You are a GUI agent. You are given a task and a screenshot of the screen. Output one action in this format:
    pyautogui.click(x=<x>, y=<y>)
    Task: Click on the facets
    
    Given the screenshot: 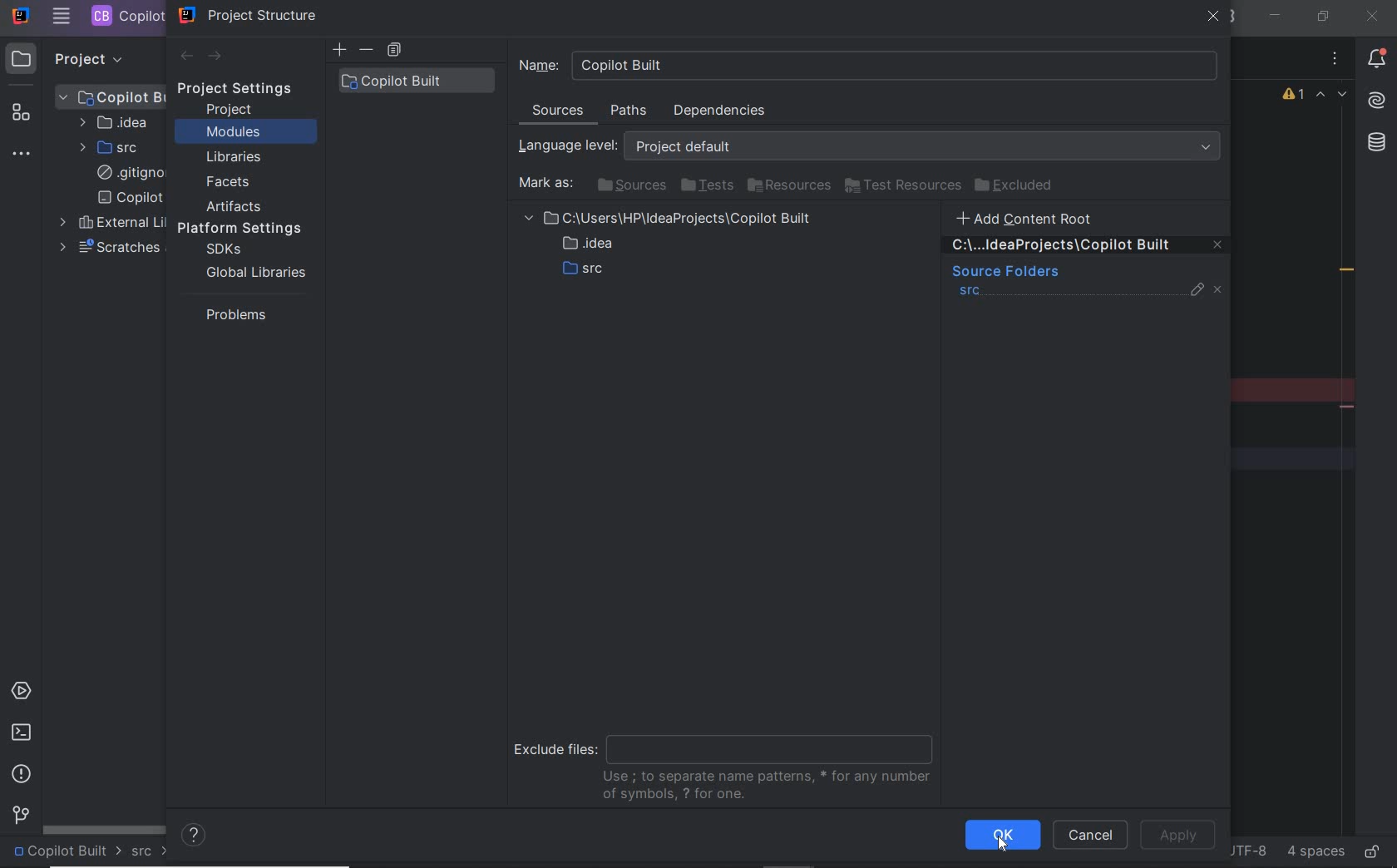 What is the action you would take?
    pyautogui.click(x=229, y=183)
    